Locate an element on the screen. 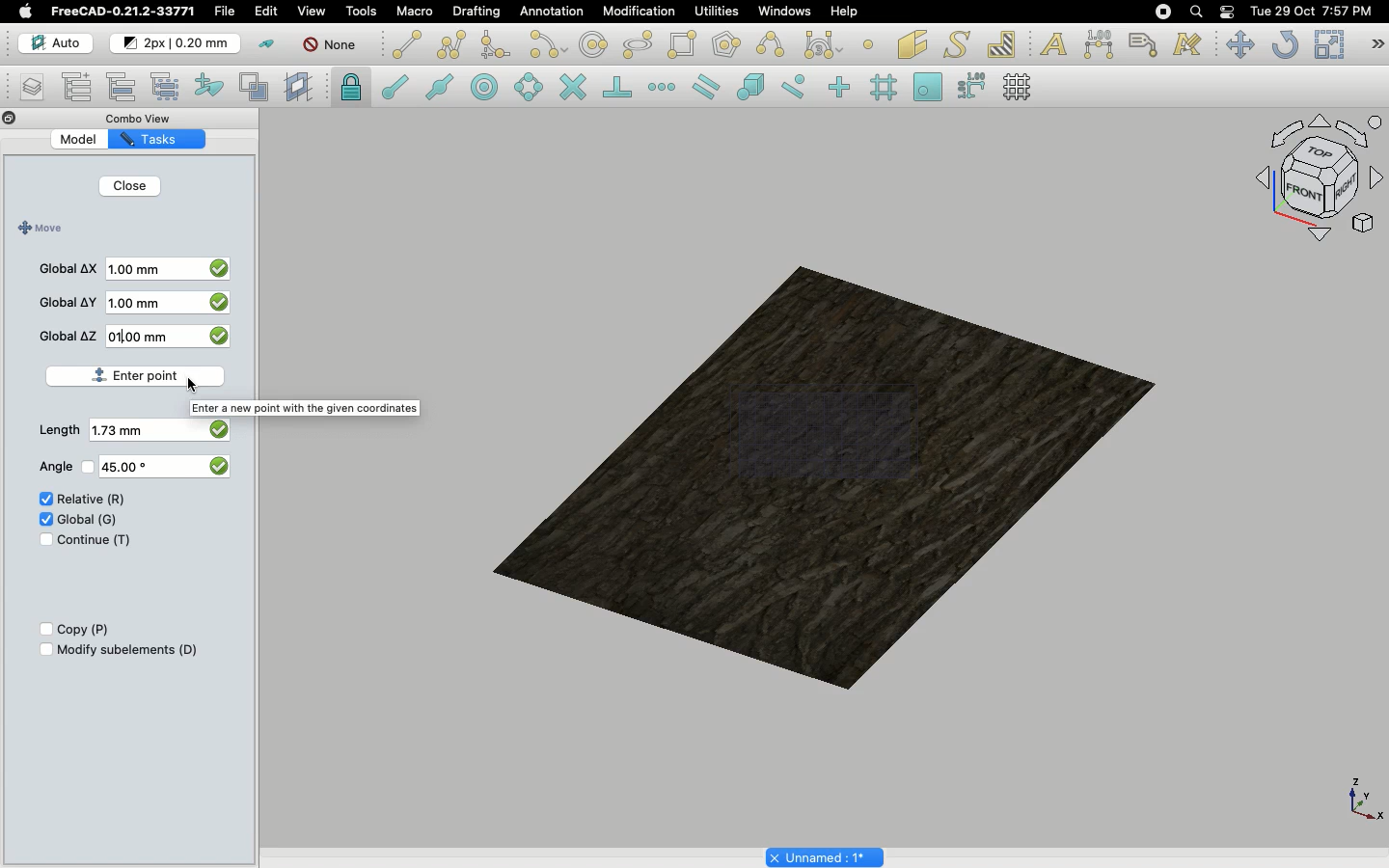 The height and width of the screenshot is (868, 1389). Global X is located at coordinates (68, 266).